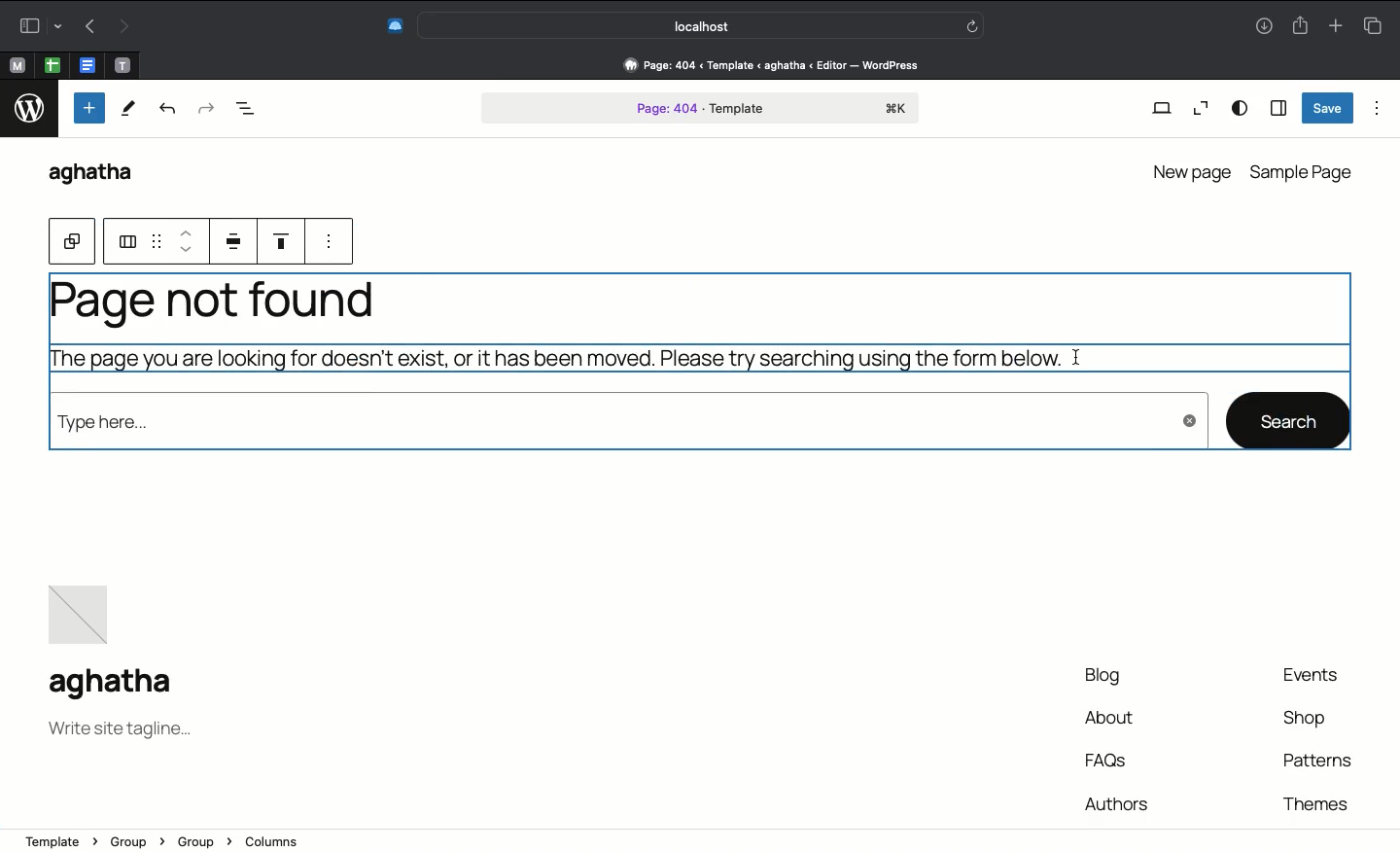 The width and height of the screenshot is (1400, 852). I want to click on Sample page, so click(1304, 172).